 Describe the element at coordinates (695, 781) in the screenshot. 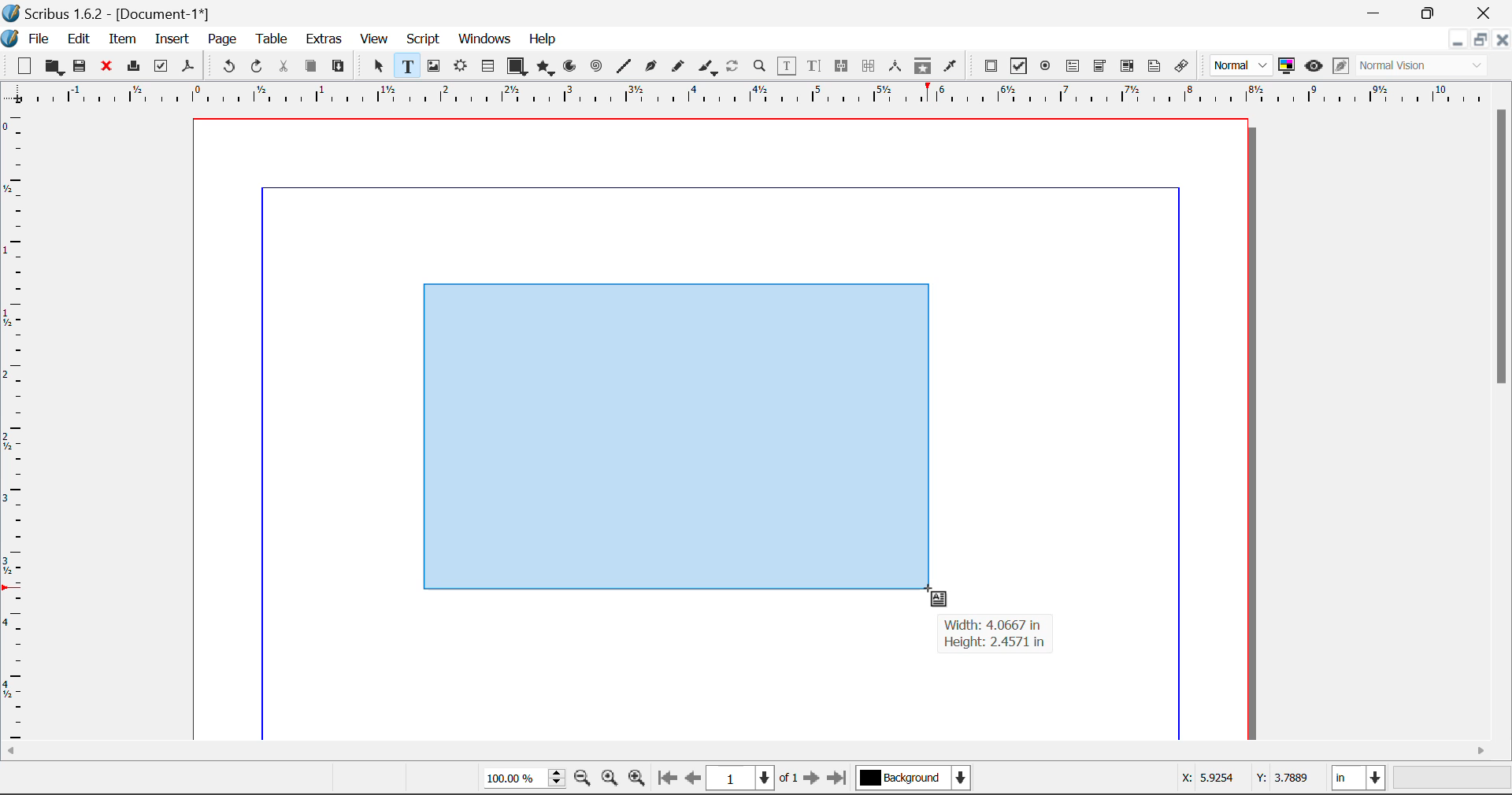

I see `Previous Page` at that location.